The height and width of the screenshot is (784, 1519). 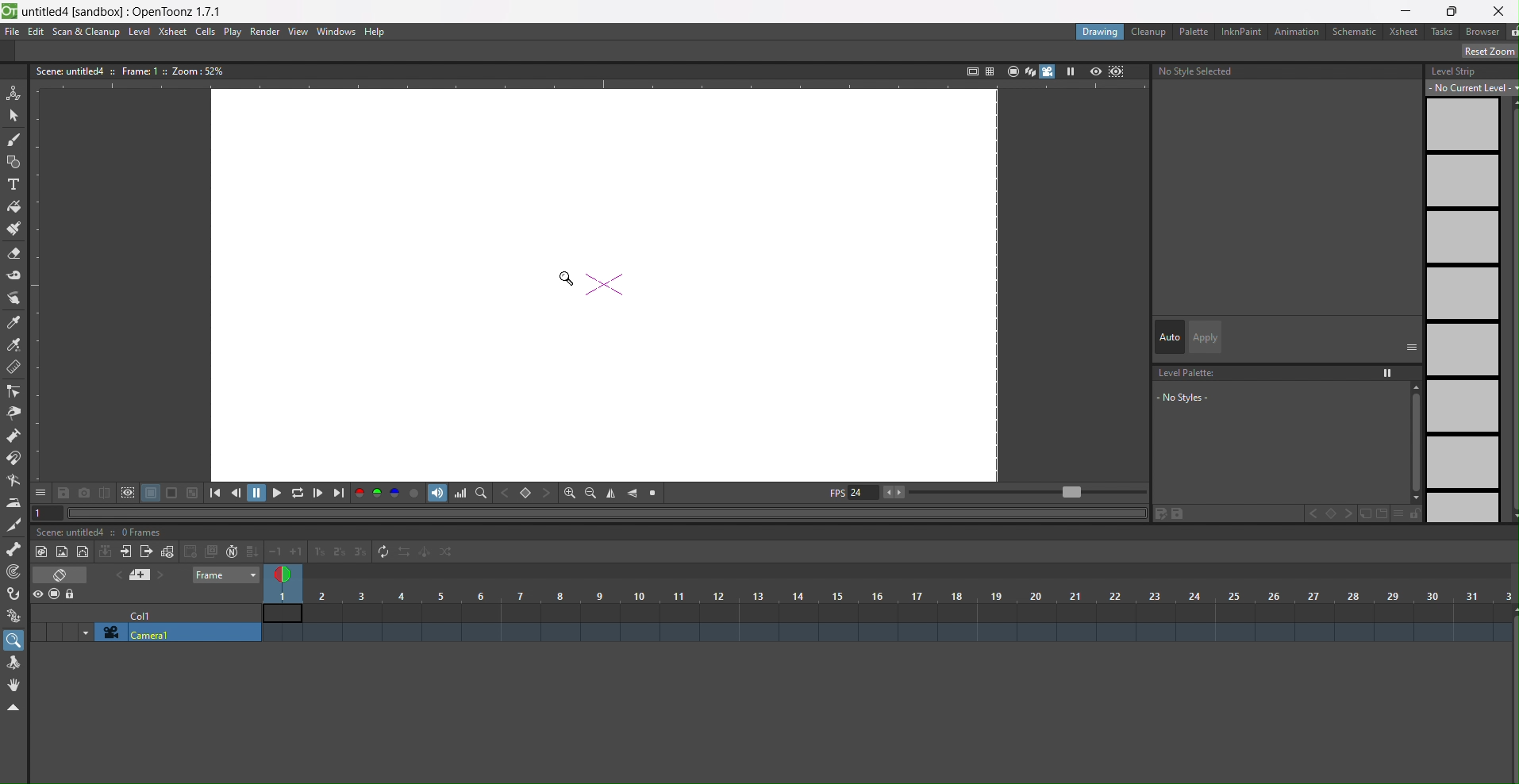 What do you see at coordinates (14, 369) in the screenshot?
I see `ruler tool` at bounding box center [14, 369].